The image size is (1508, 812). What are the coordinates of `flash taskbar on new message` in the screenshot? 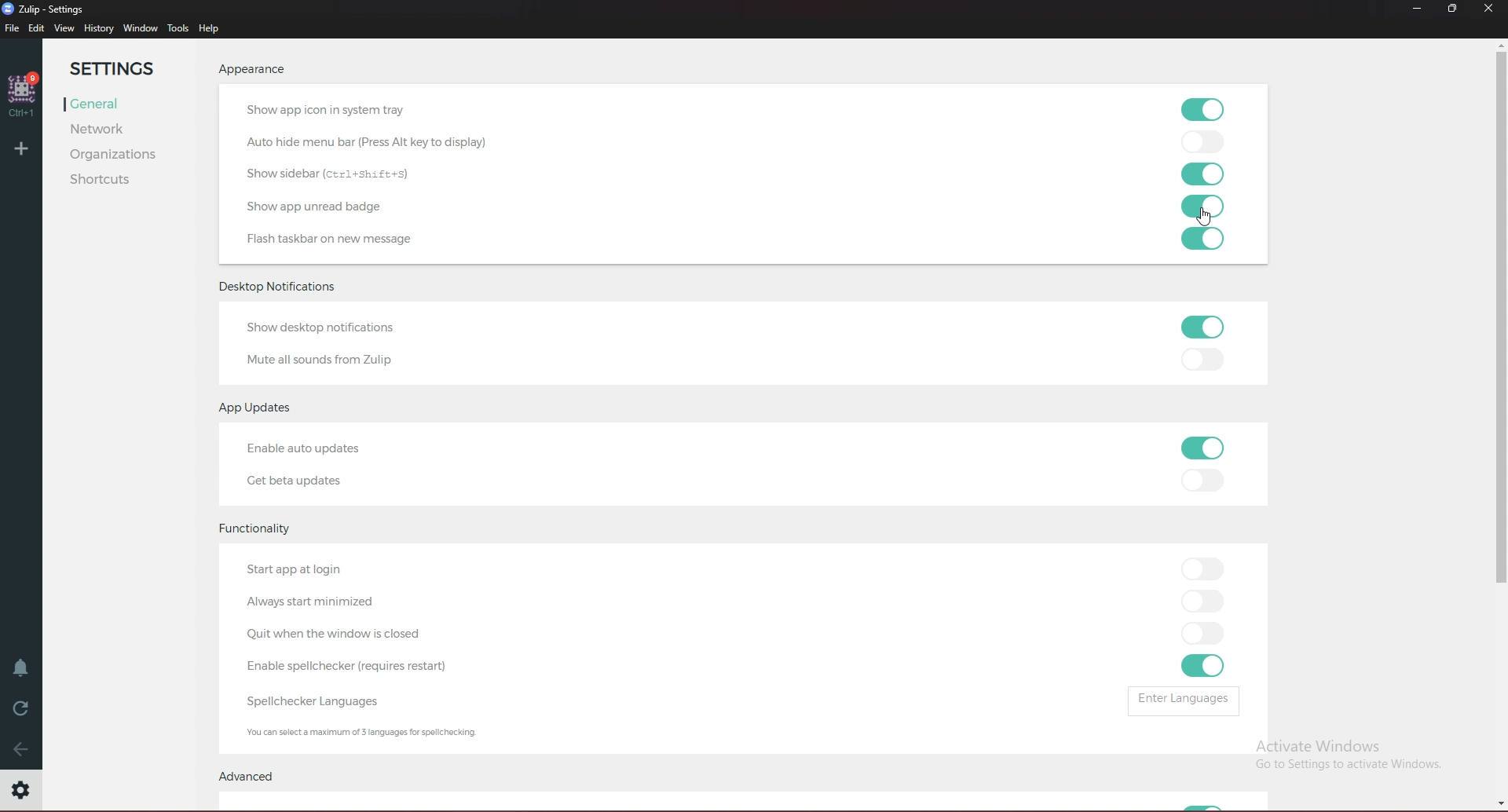 It's located at (379, 240).